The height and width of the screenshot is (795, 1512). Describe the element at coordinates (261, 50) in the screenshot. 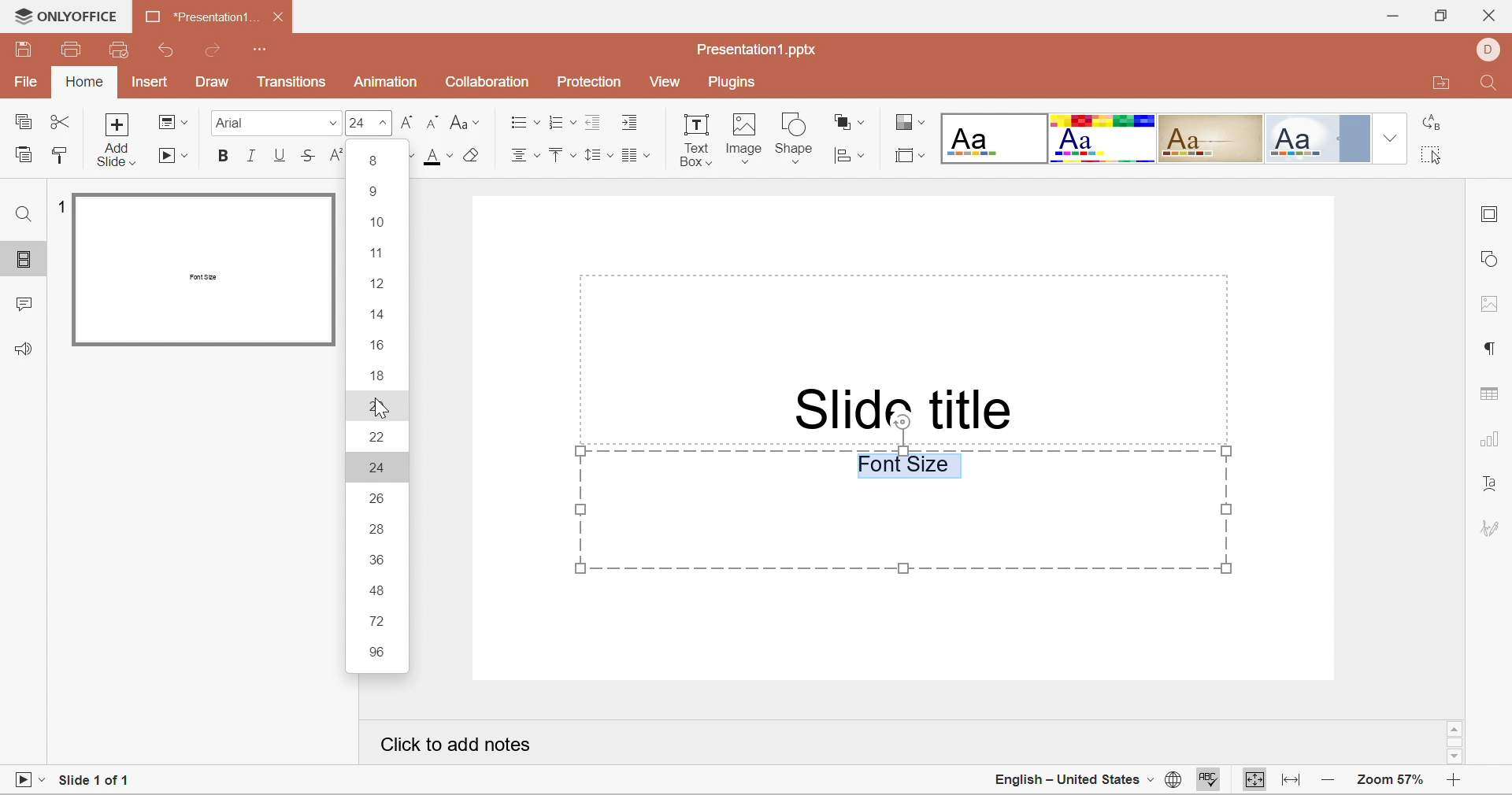

I see `Customize quick access toolbar` at that location.